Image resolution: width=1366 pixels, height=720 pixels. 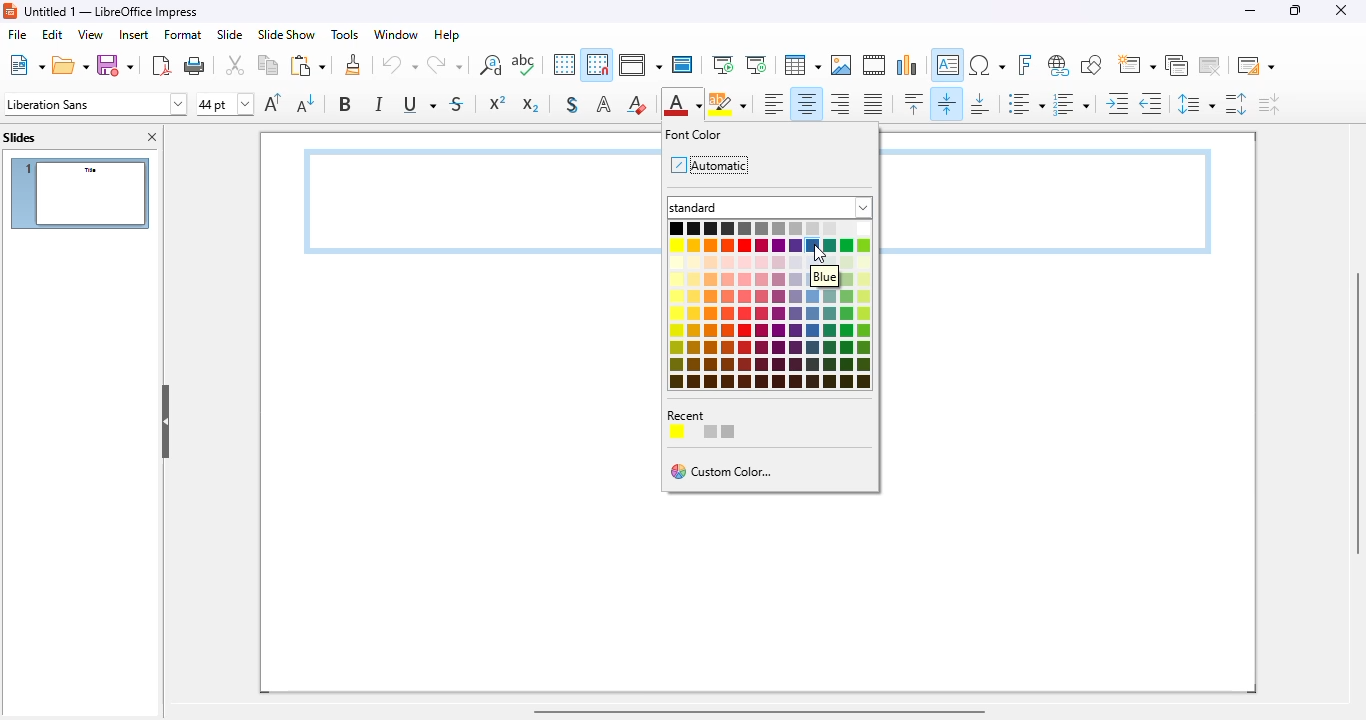 What do you see at coordinates (529, 104) in the screenshot?
I see `subscript` at bounding box center [529, 104].